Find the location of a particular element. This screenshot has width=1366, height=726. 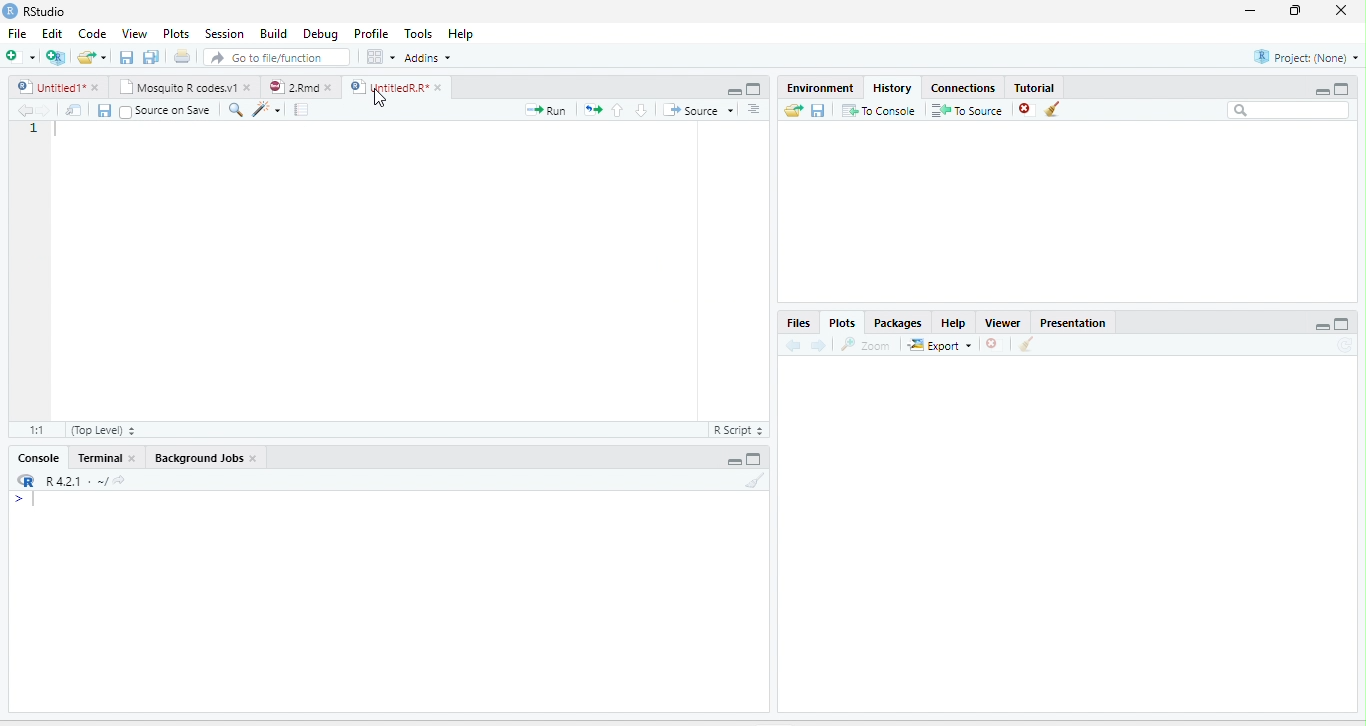

Edit is located at coordinates (51, 33).